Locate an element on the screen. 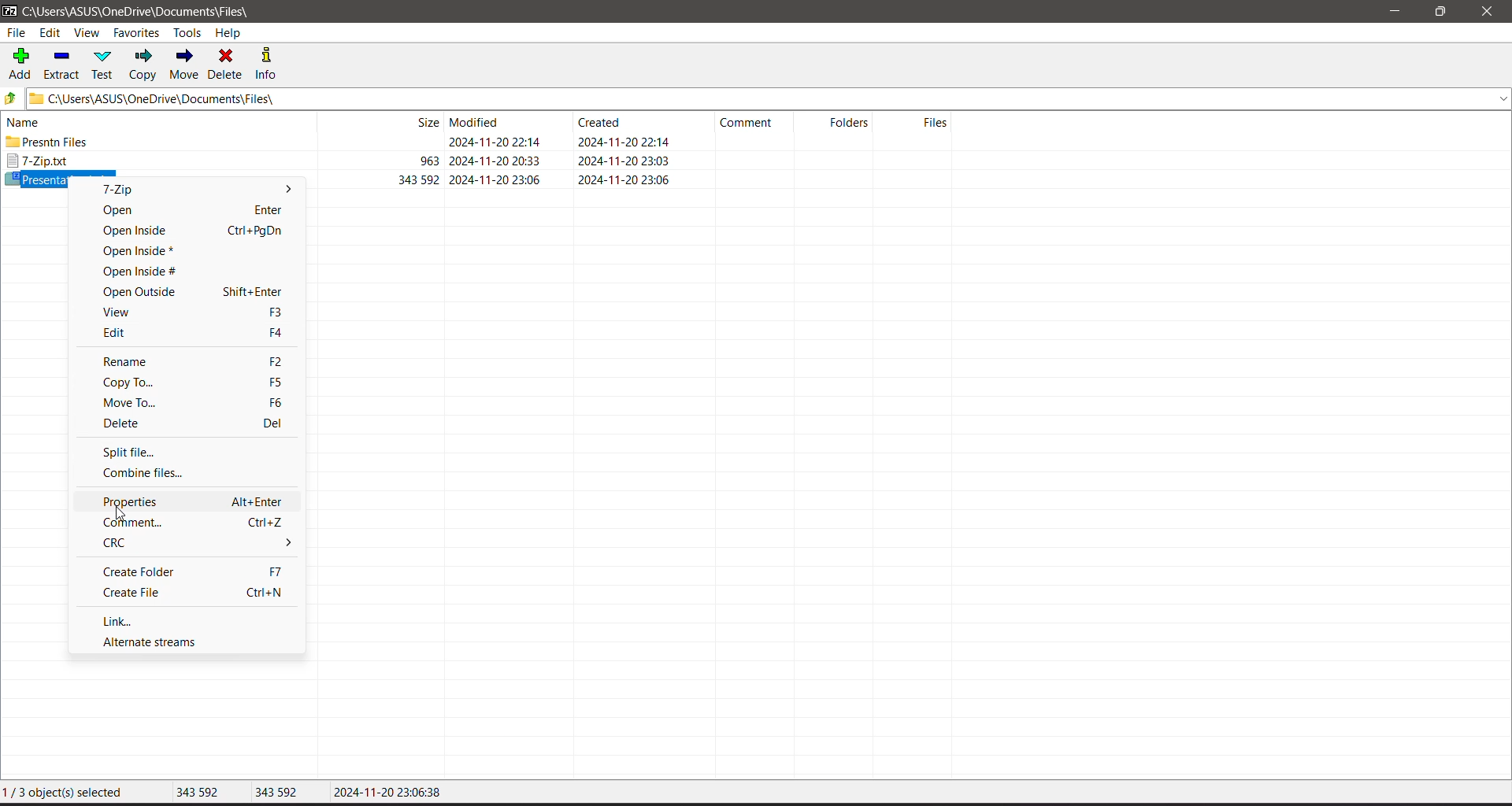  cursor is located at coordinates (124, 515).